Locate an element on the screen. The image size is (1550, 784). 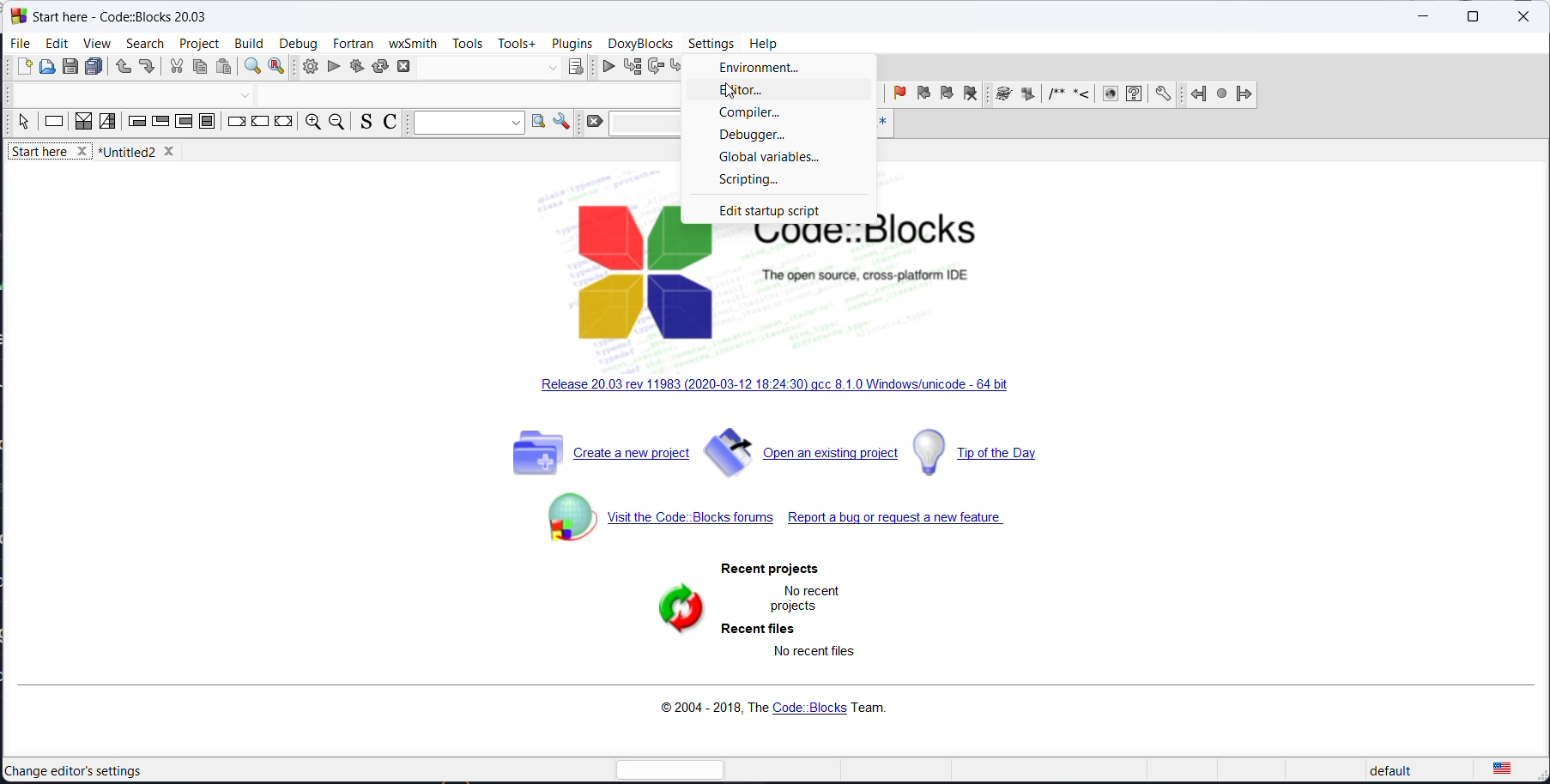
Debug is located at coordinates (298, 41).